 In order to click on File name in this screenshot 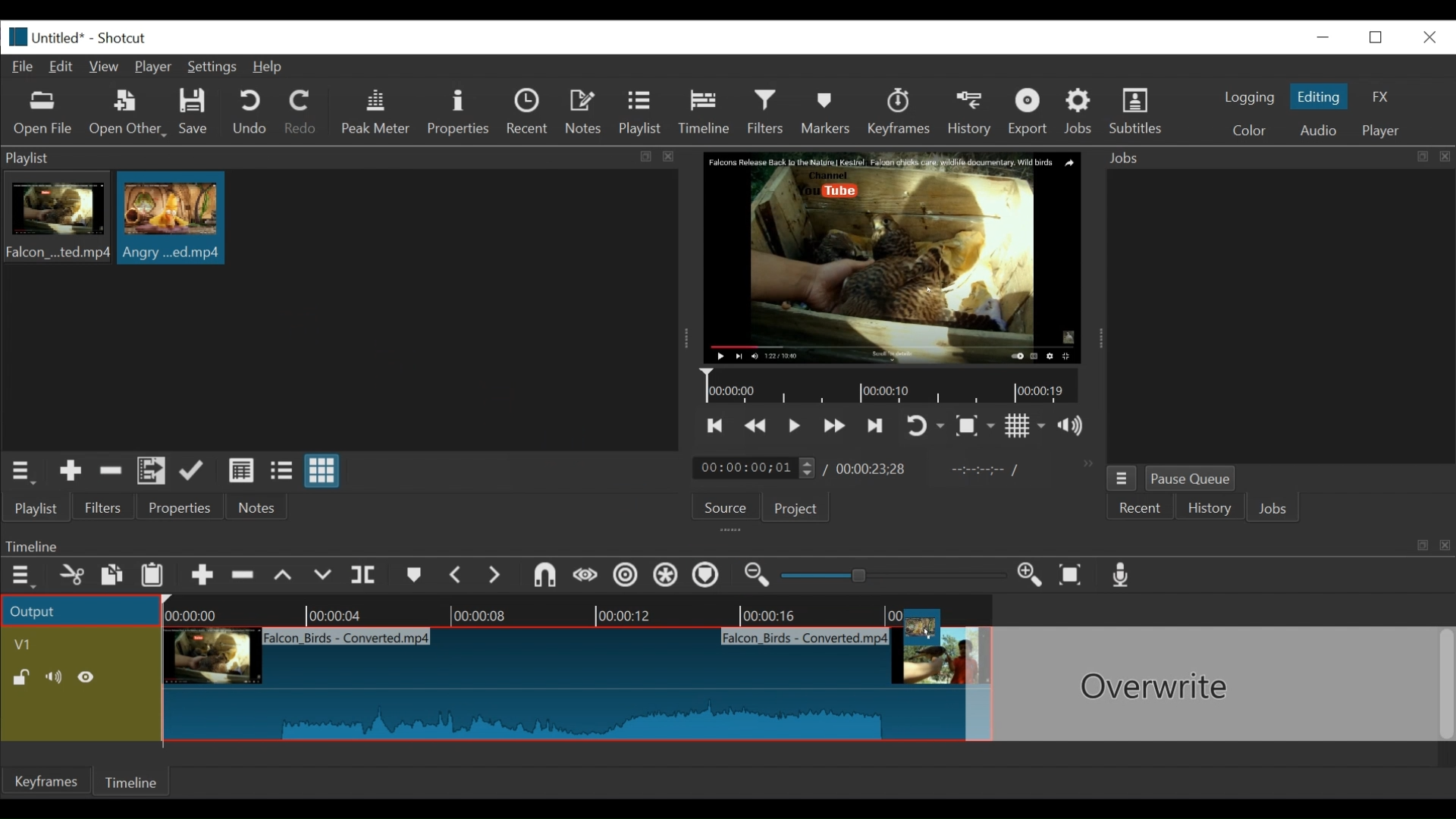, I will do `click(61, 39)`.